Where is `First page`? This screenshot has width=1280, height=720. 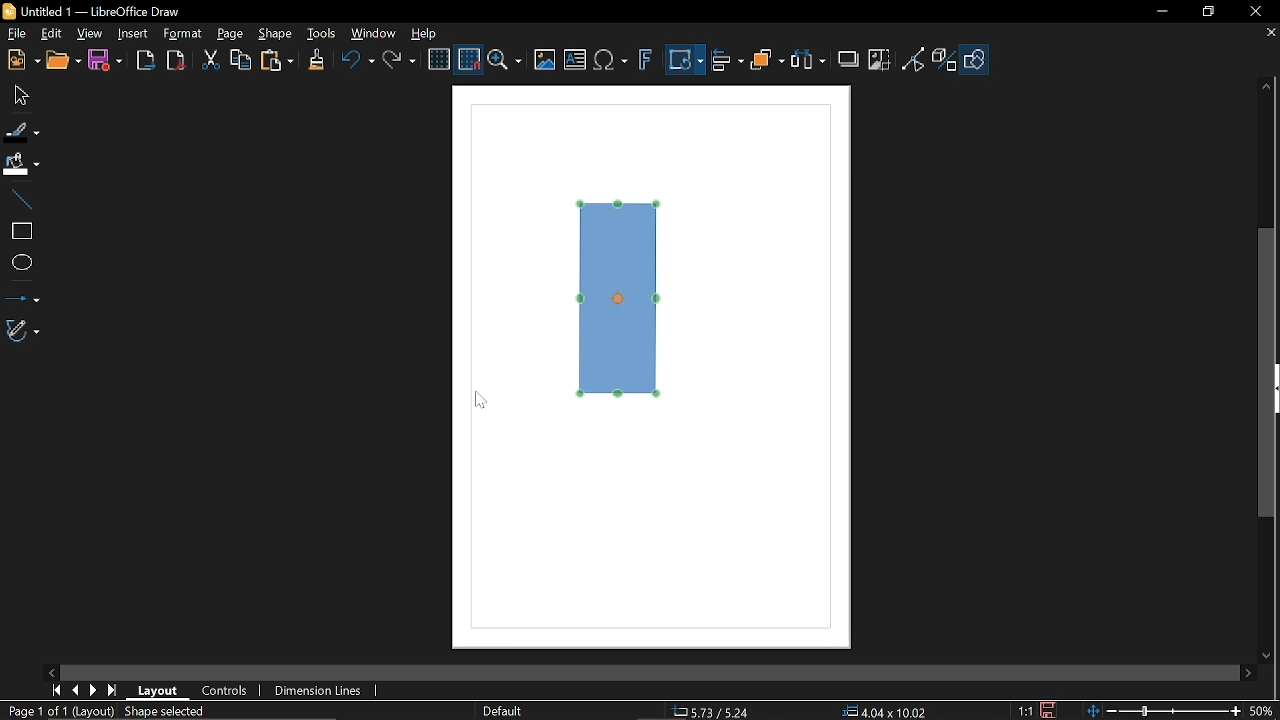
First page is located at coordinates (53, 691).